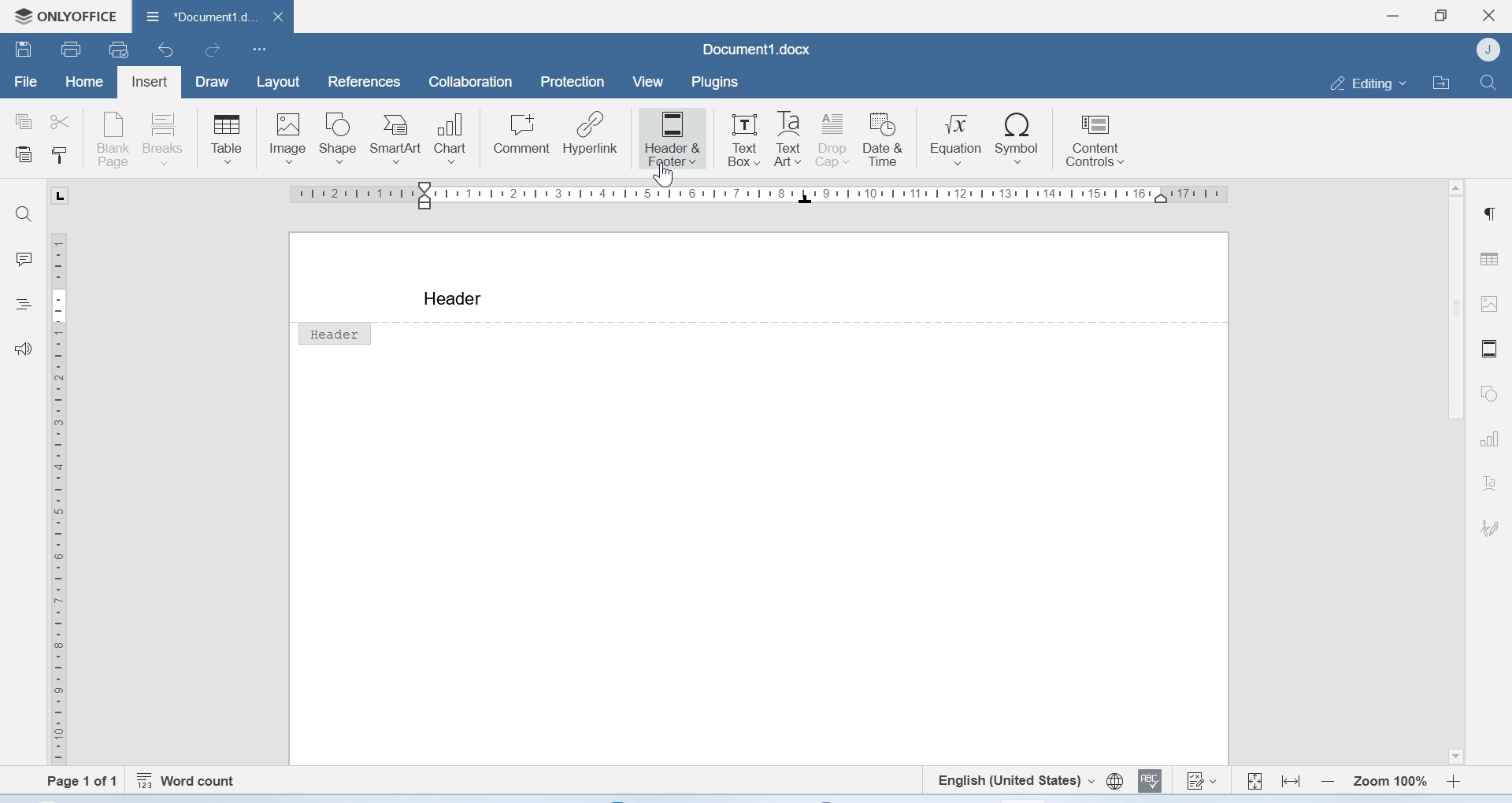 Image resolution: width=1512 pixels, height=803 pixels. What do you see at coordinates (1488, 440) in the screenshot?
I see `Charts` at bounding box center [1488, 440].